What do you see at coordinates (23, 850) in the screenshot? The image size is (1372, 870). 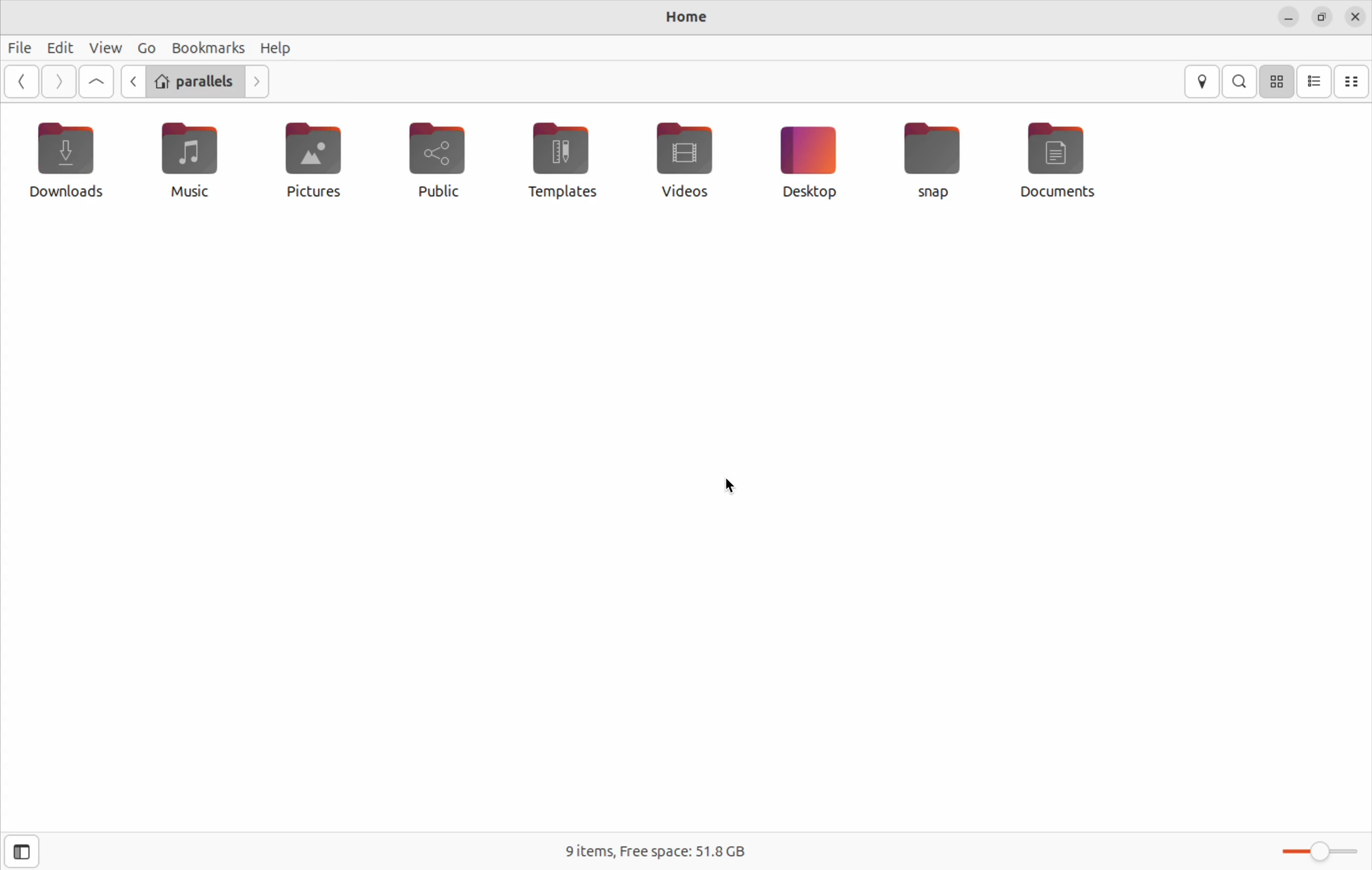 I see `opens side bar` at bounding box center [23, 850].